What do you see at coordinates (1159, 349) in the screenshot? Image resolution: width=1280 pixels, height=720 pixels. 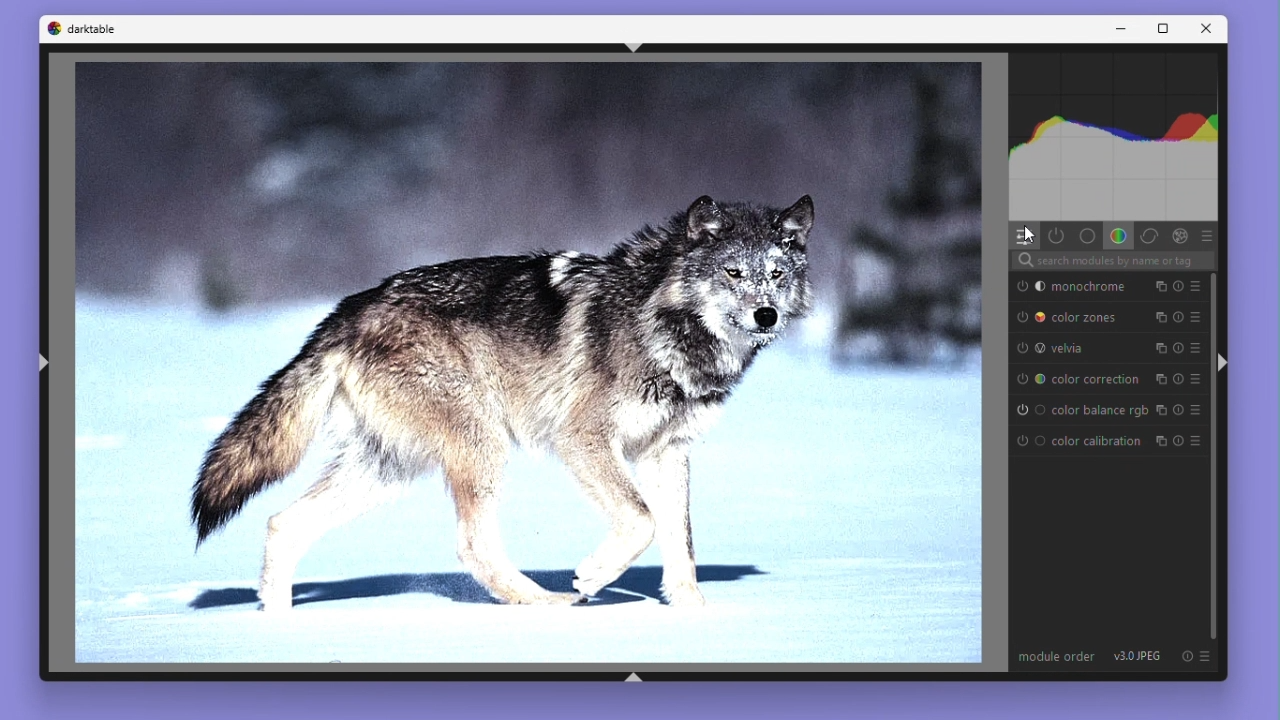 I see `multiple instance actions` at bounding box center [1159, 349].